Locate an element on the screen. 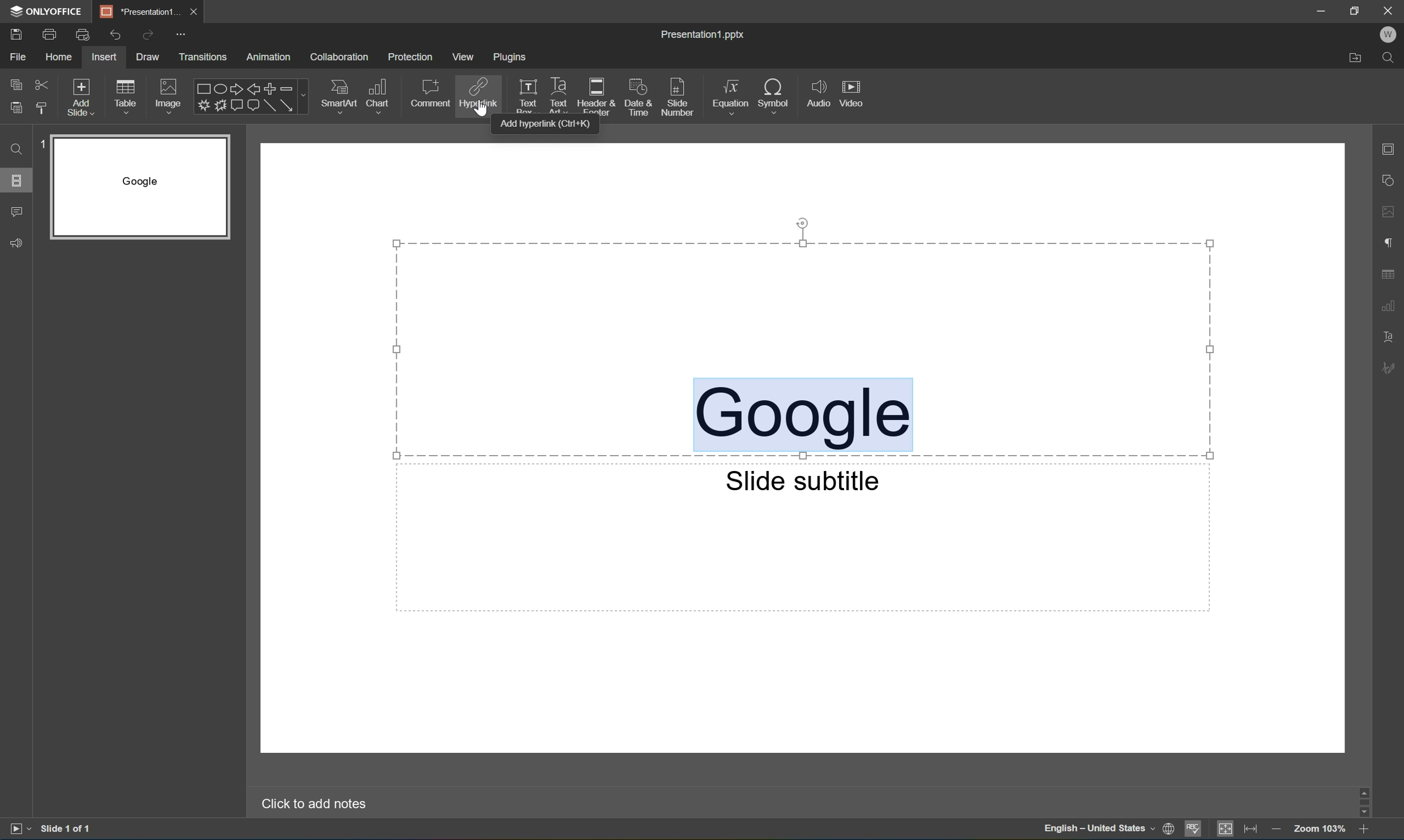  Signature settings is located at coordinates (1388, 368).